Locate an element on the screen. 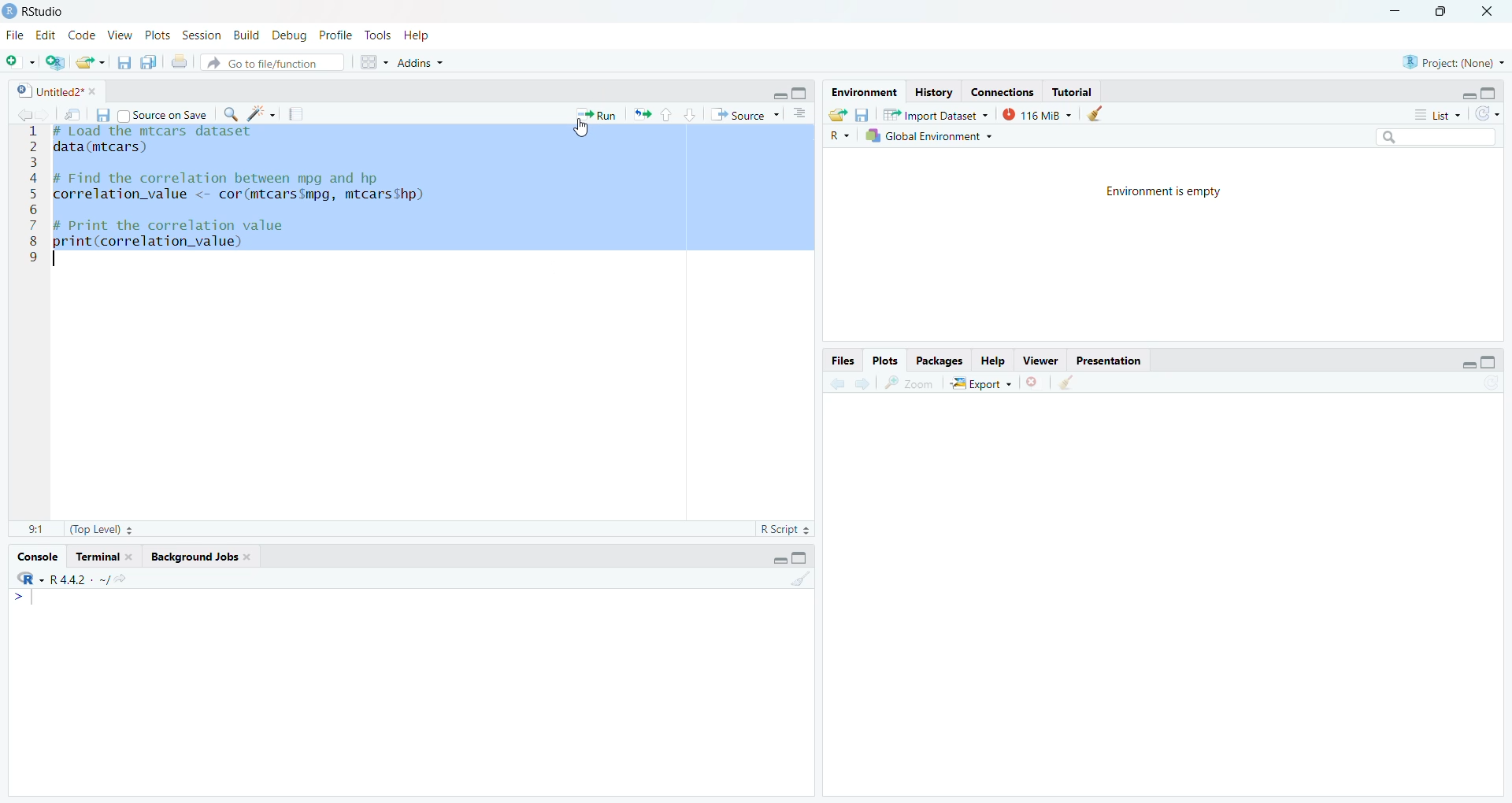 Image resolution: width=1512 pixels, height=803 pixels. Source on Save is located at coordinates (165, 116).